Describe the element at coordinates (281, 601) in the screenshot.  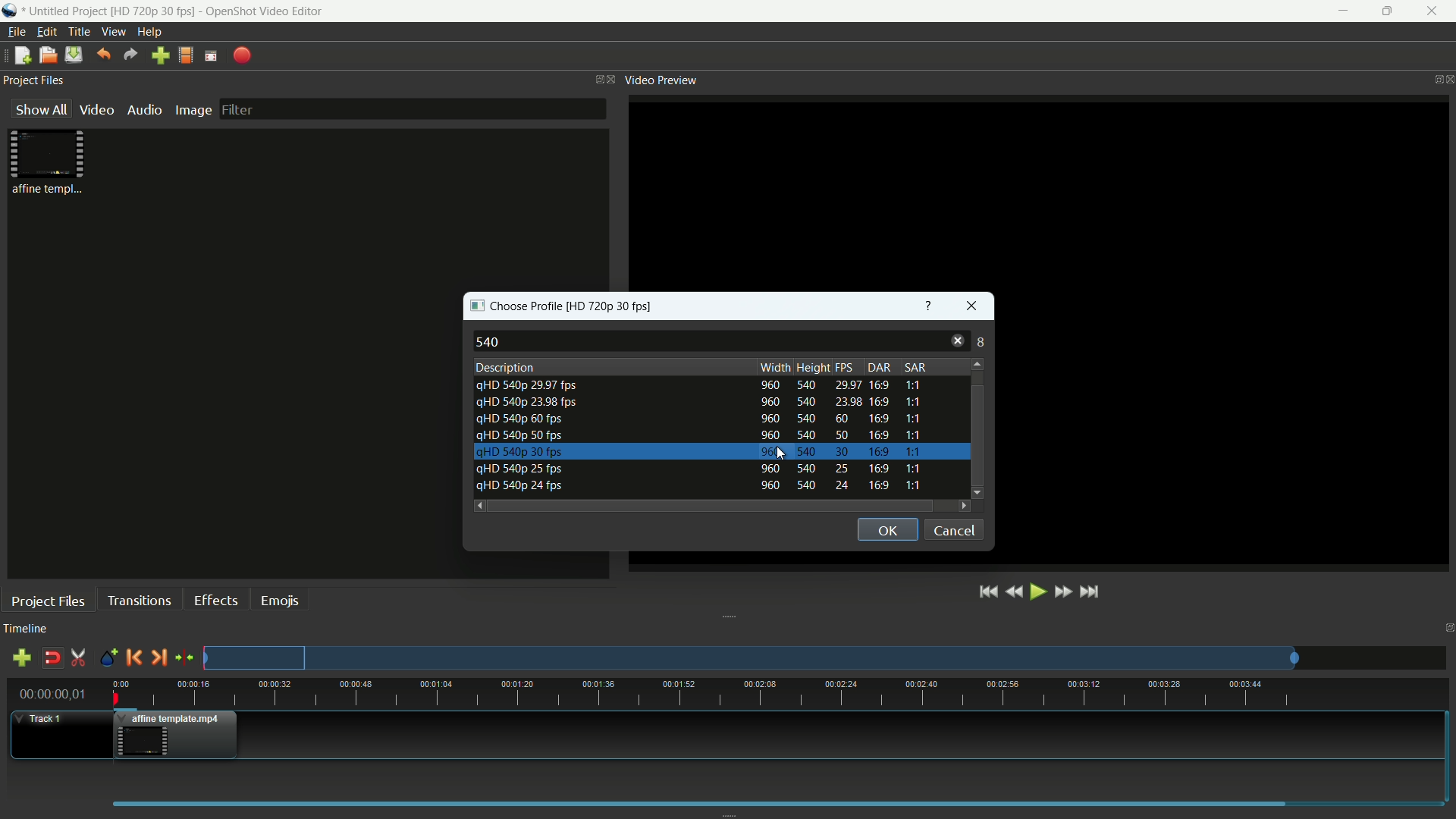
I see `emojis` at that location.